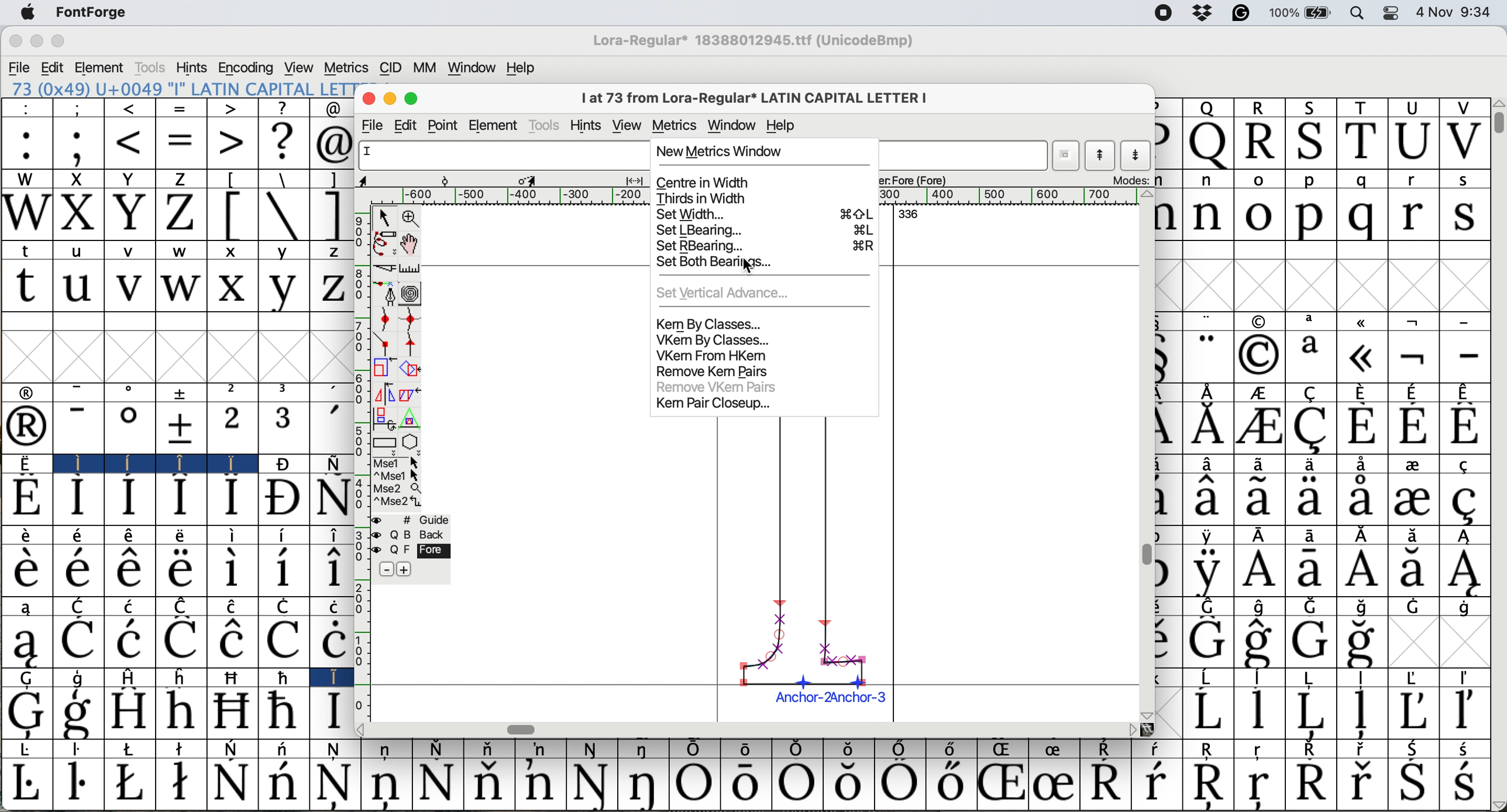 The height and width of the screenshot is (812, 1507). Describe the element at coordinates (16, 42) in the screenshot. I see `close` at that location.